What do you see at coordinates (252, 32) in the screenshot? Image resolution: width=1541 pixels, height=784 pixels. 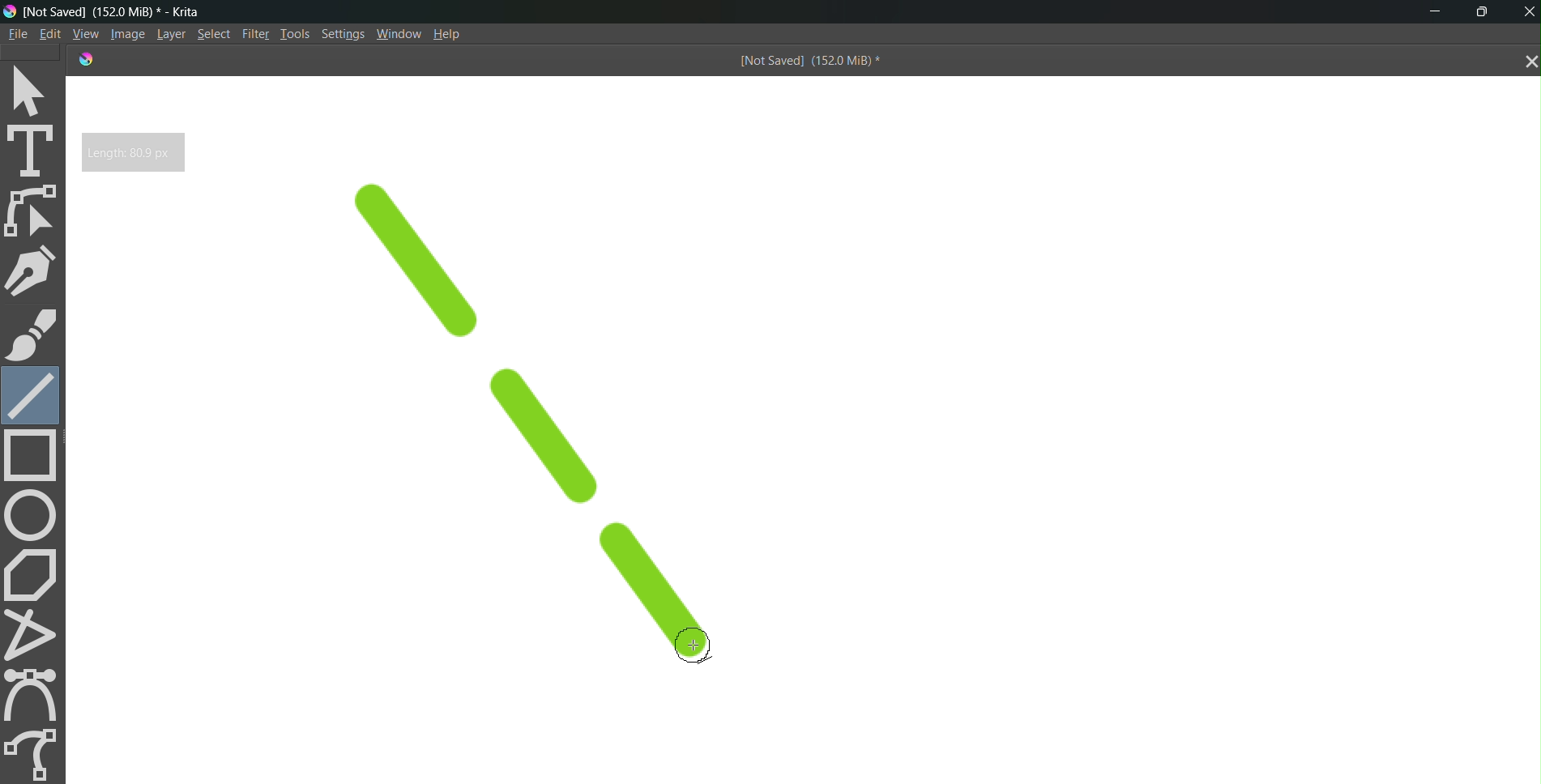 I see `Filte` at bounding box center [252, 32].